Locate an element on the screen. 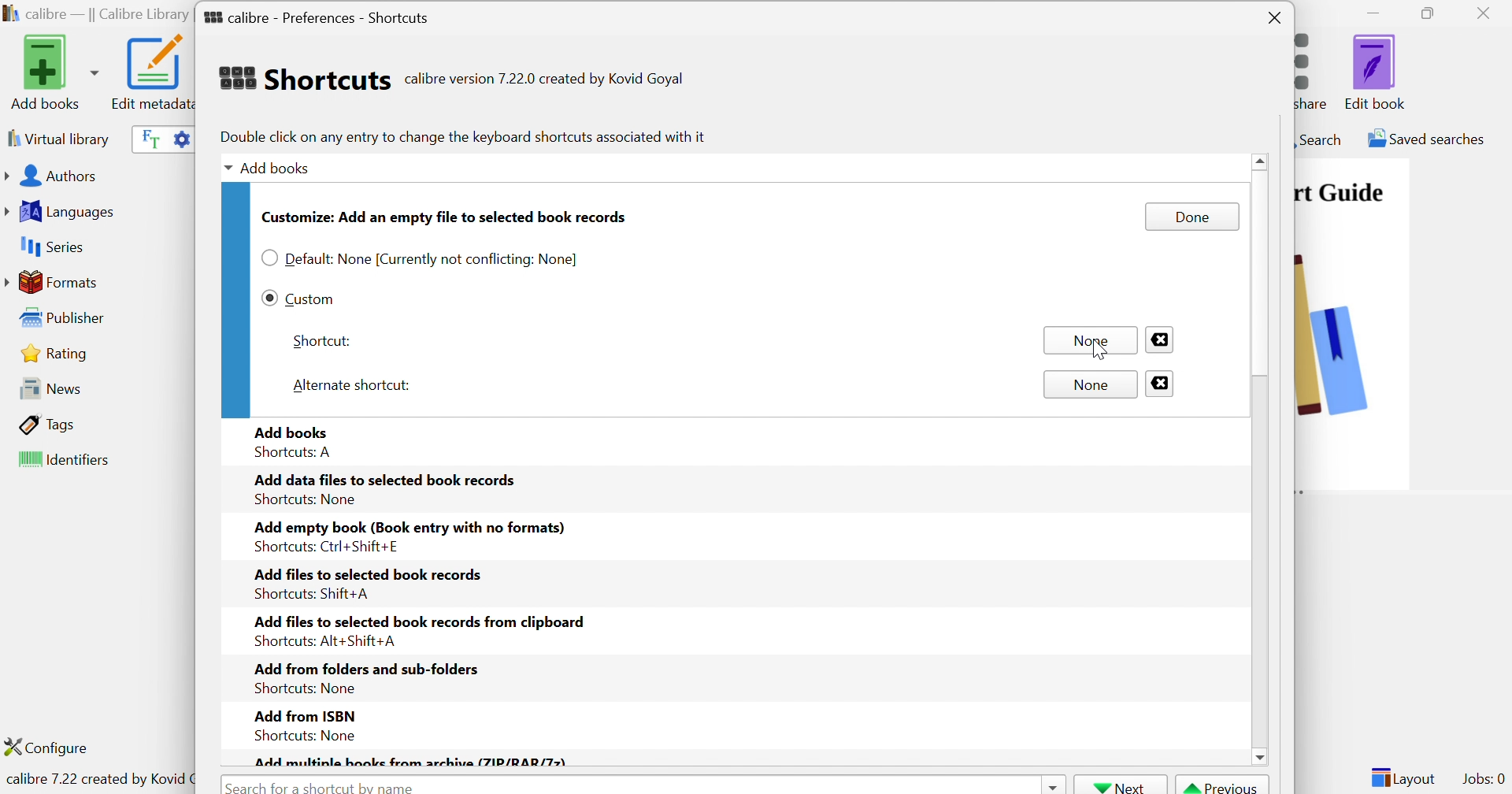 This screenshot has width=1512, height=794. None is located at coordinates (1091, 385).